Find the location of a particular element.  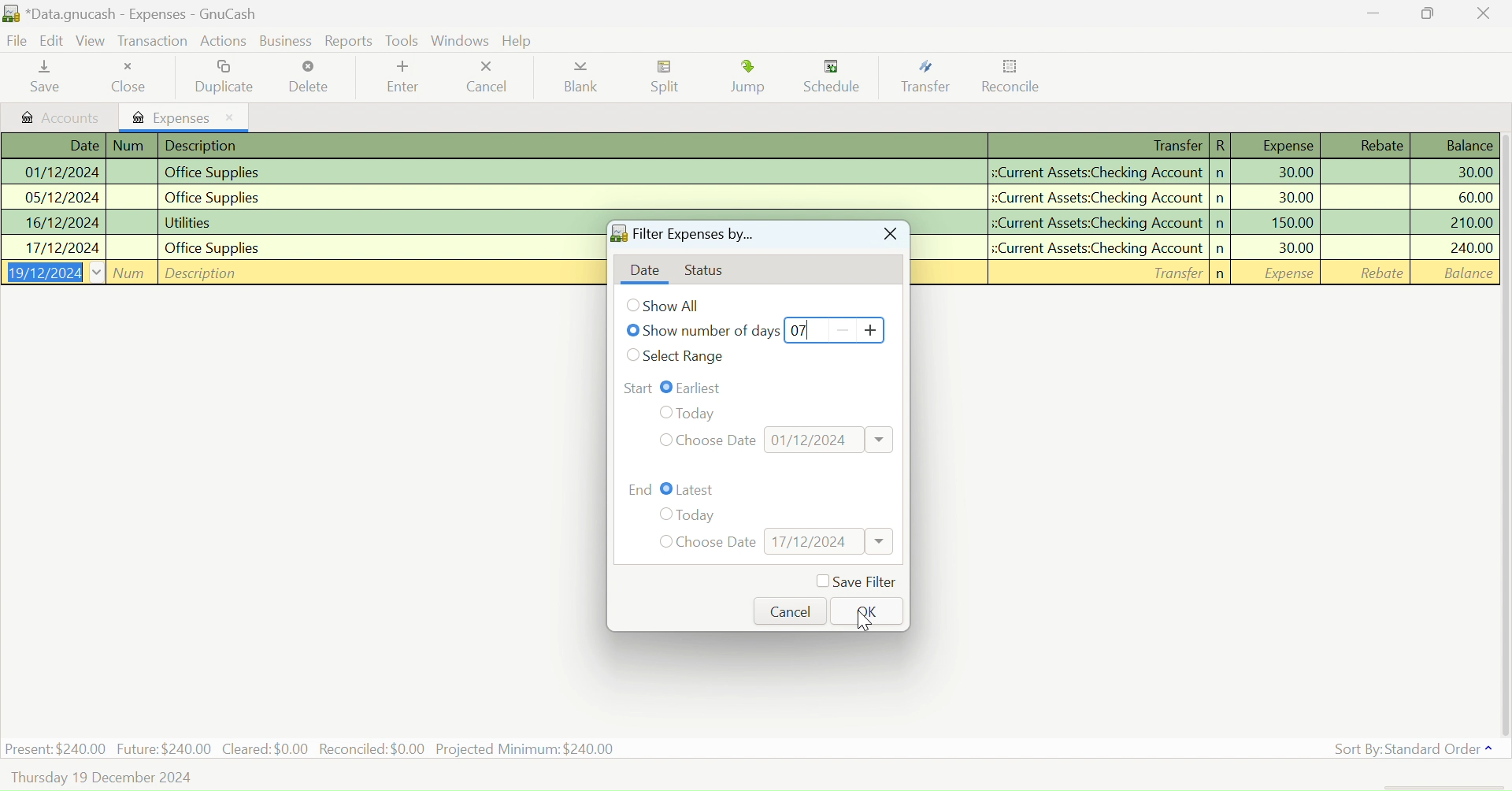

Show number of days is located at coordinates (713, 332).